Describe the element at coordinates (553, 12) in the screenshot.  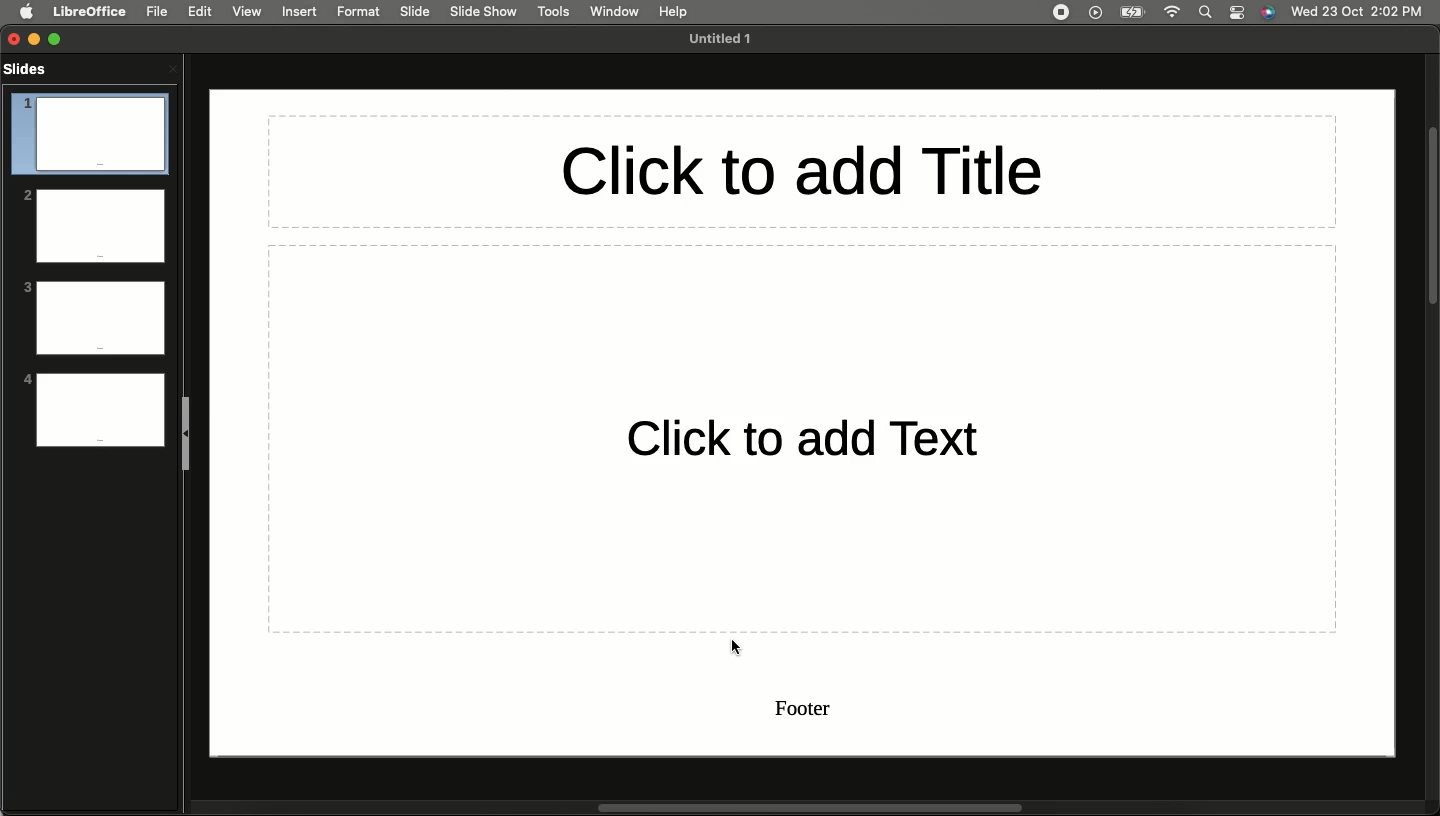
I see `Tools` at that location.